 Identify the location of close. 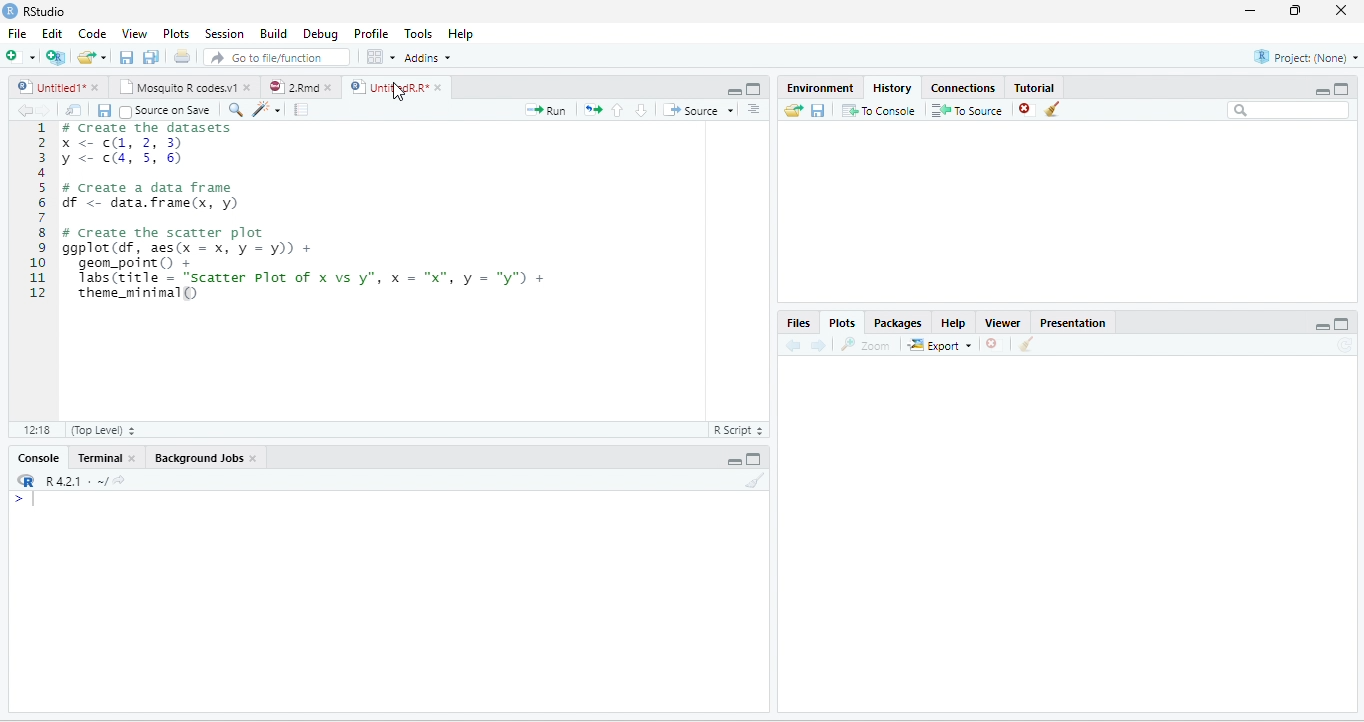
(95, 87).